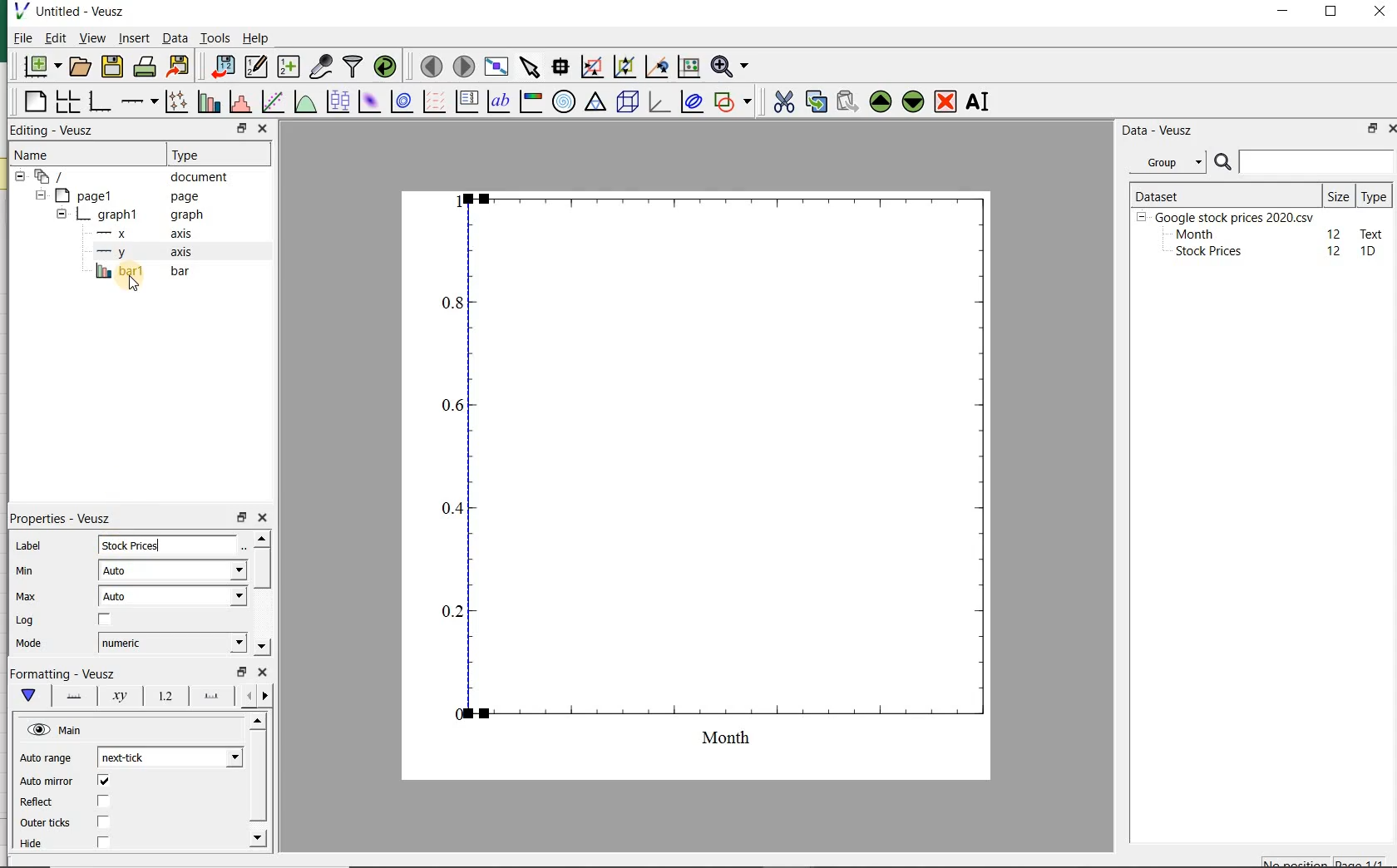  I want to click on new document, so click(42, 67).